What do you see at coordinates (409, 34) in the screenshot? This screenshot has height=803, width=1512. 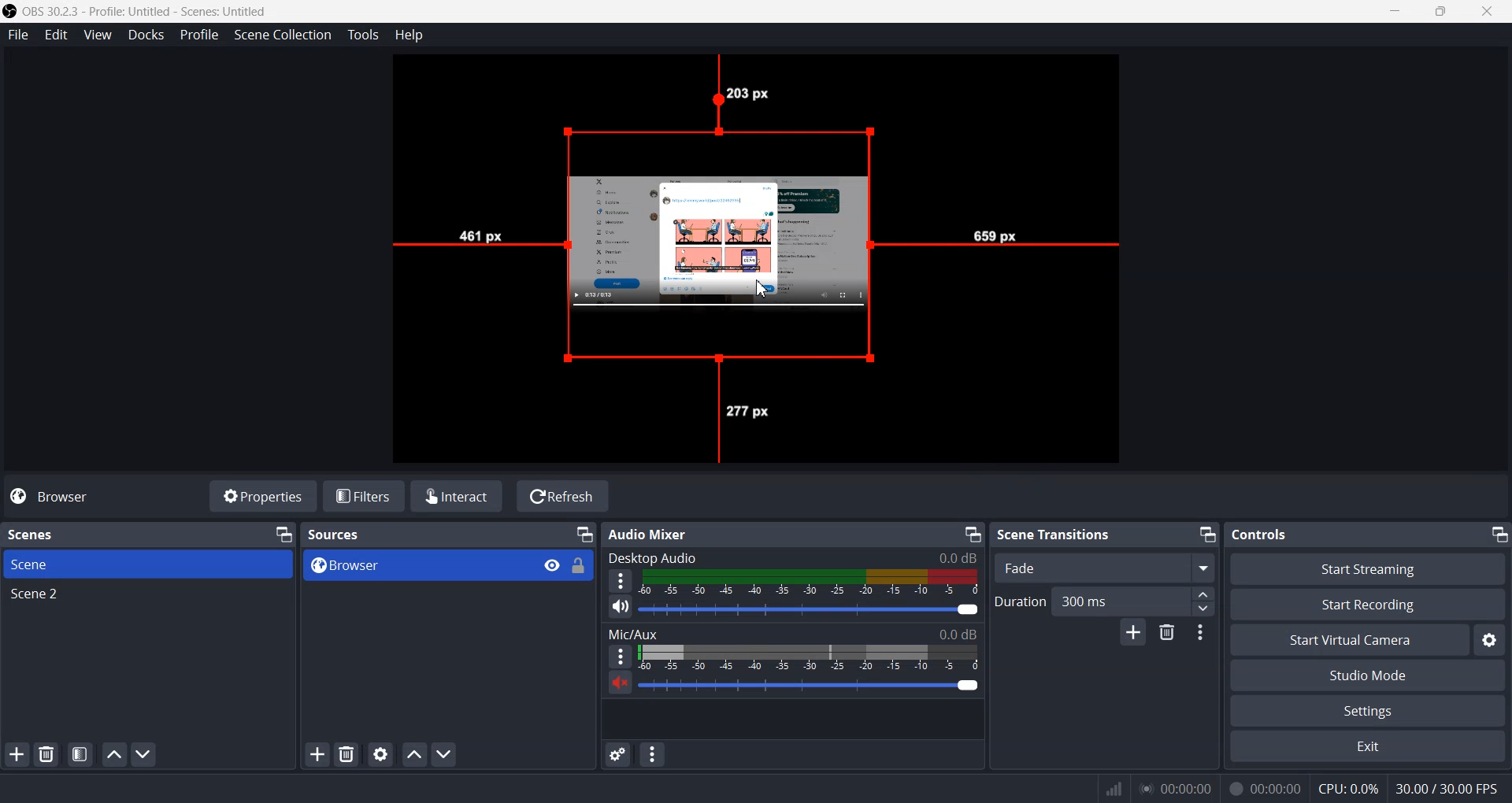 I see `Help` at bounding box center [409, 34].